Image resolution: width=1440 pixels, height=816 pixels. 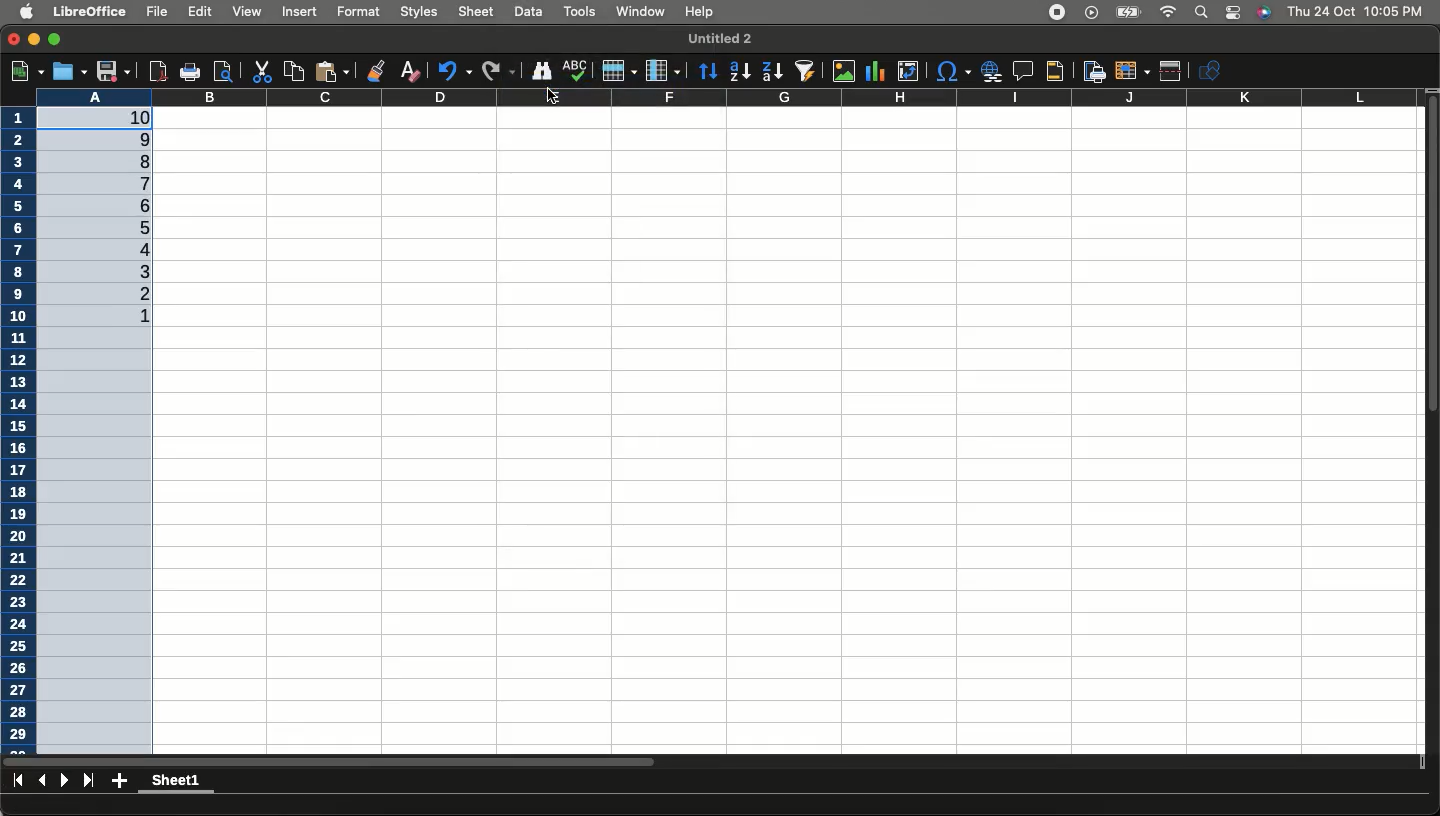 What do you see at coordinates (878, 70) in the screenshot?
I see `Insert chart` at bounding box center [878, 70].